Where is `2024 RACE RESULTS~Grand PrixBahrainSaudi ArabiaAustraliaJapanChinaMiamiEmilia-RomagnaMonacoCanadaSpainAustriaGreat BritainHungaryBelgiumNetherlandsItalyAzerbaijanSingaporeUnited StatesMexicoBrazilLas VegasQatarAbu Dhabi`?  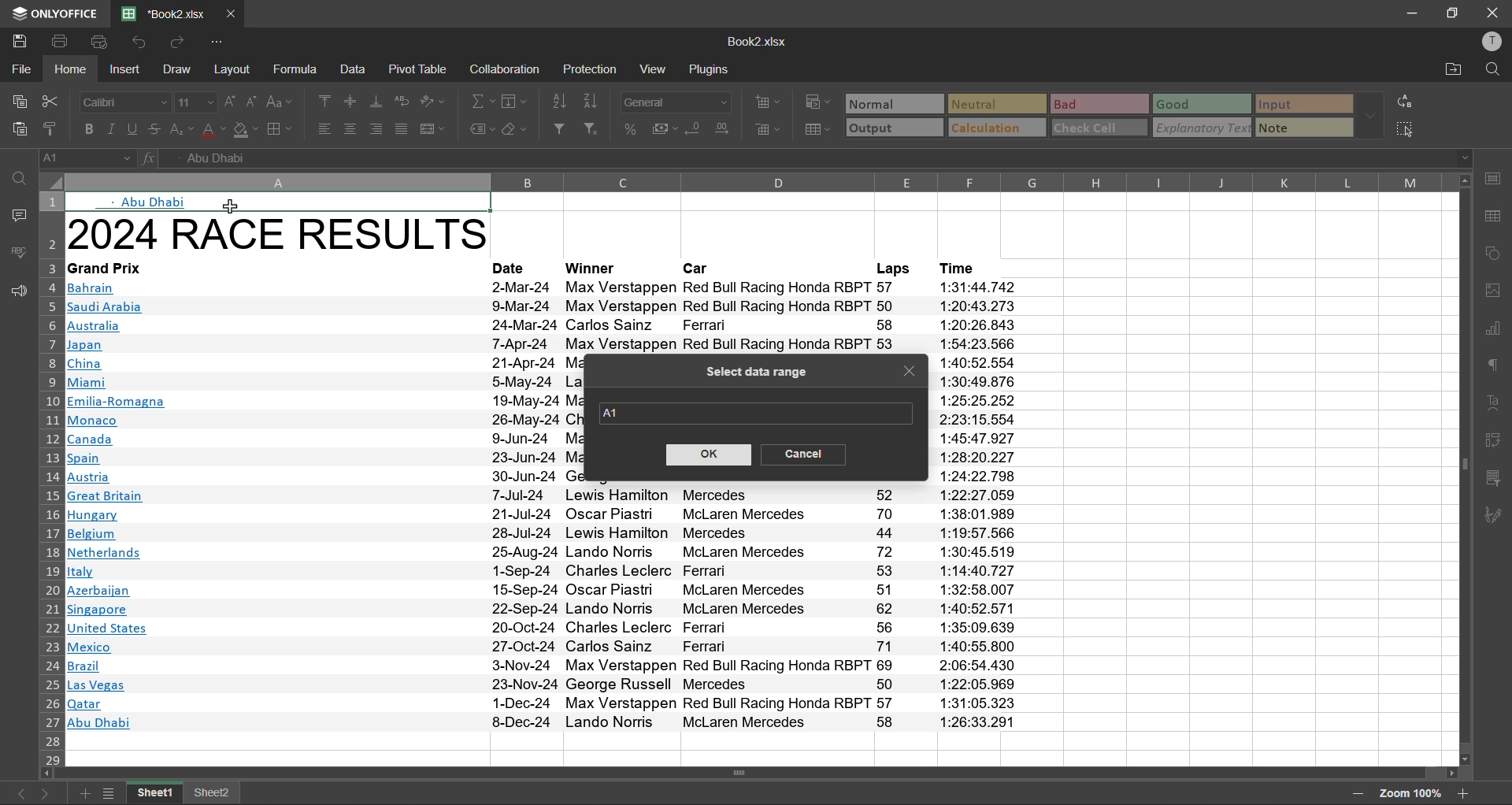 2024 RACE RESULTS~Grand PrixBahrainSaudi ArabiaAustraliaJapanChinaMiamiEmilia-RomagnaMonacoCanadaSpainAustriaGreat BritainHungaryBelgiumNetherlandsItalyAzerbaijanSingaporeUnited StatesMexicoBrazilLas VegasQatarAbu Dhabi is located at coordinates (274, 461).